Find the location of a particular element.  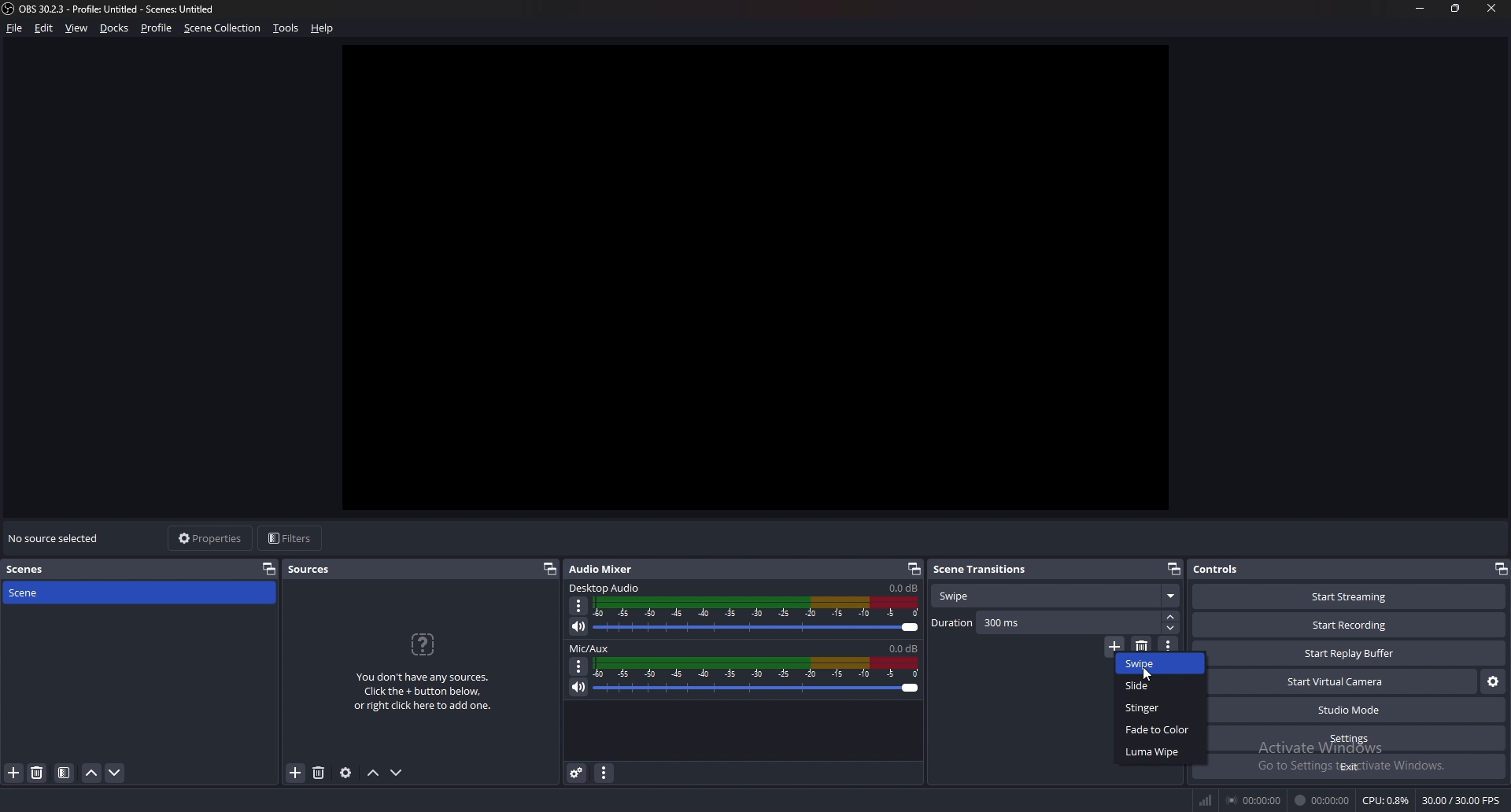

filters is located at coordinates (290, 538).